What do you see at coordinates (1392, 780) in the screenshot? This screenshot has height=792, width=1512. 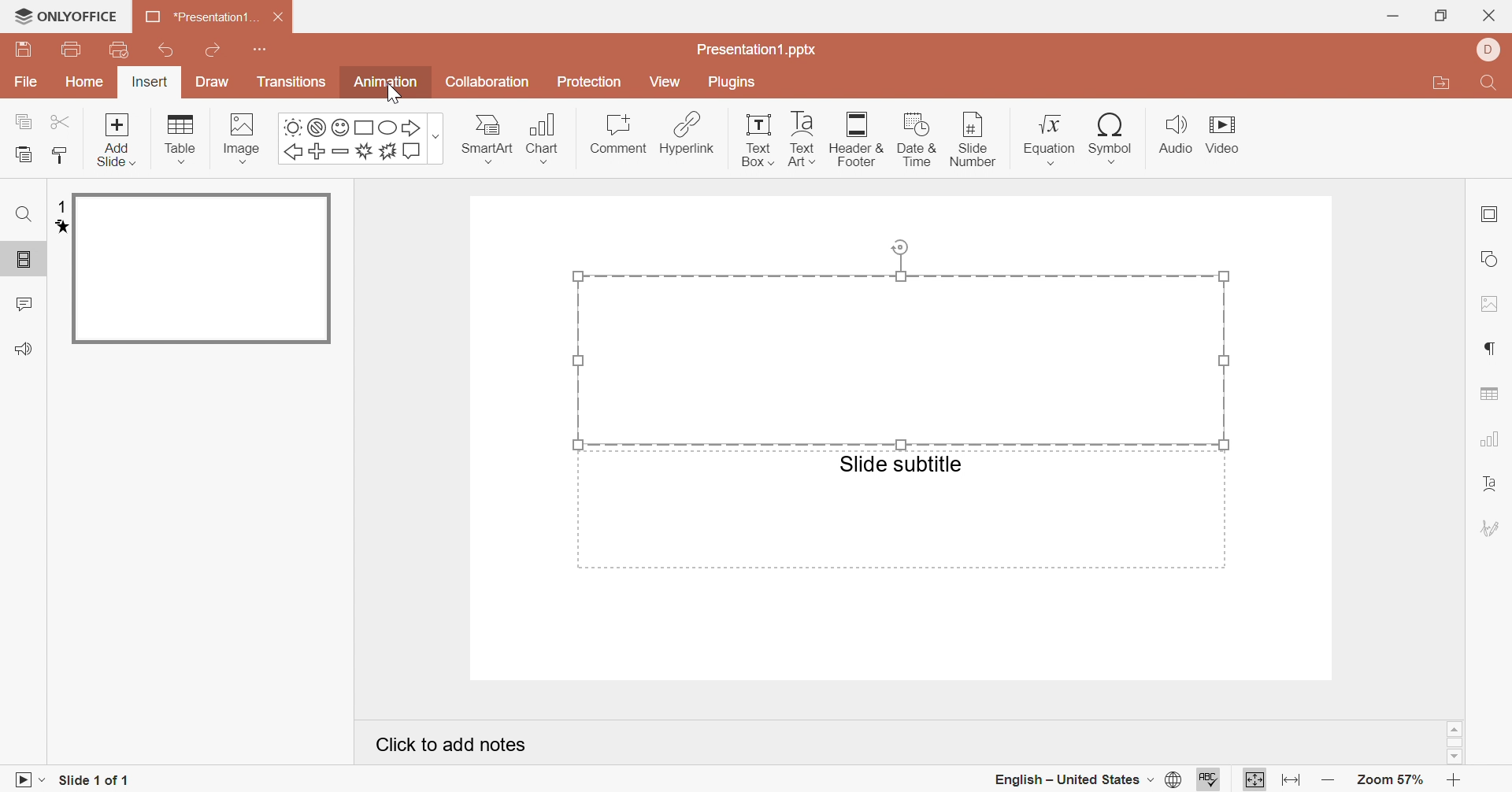 I see `zoom 57%` at bounding box center [1392, 780].